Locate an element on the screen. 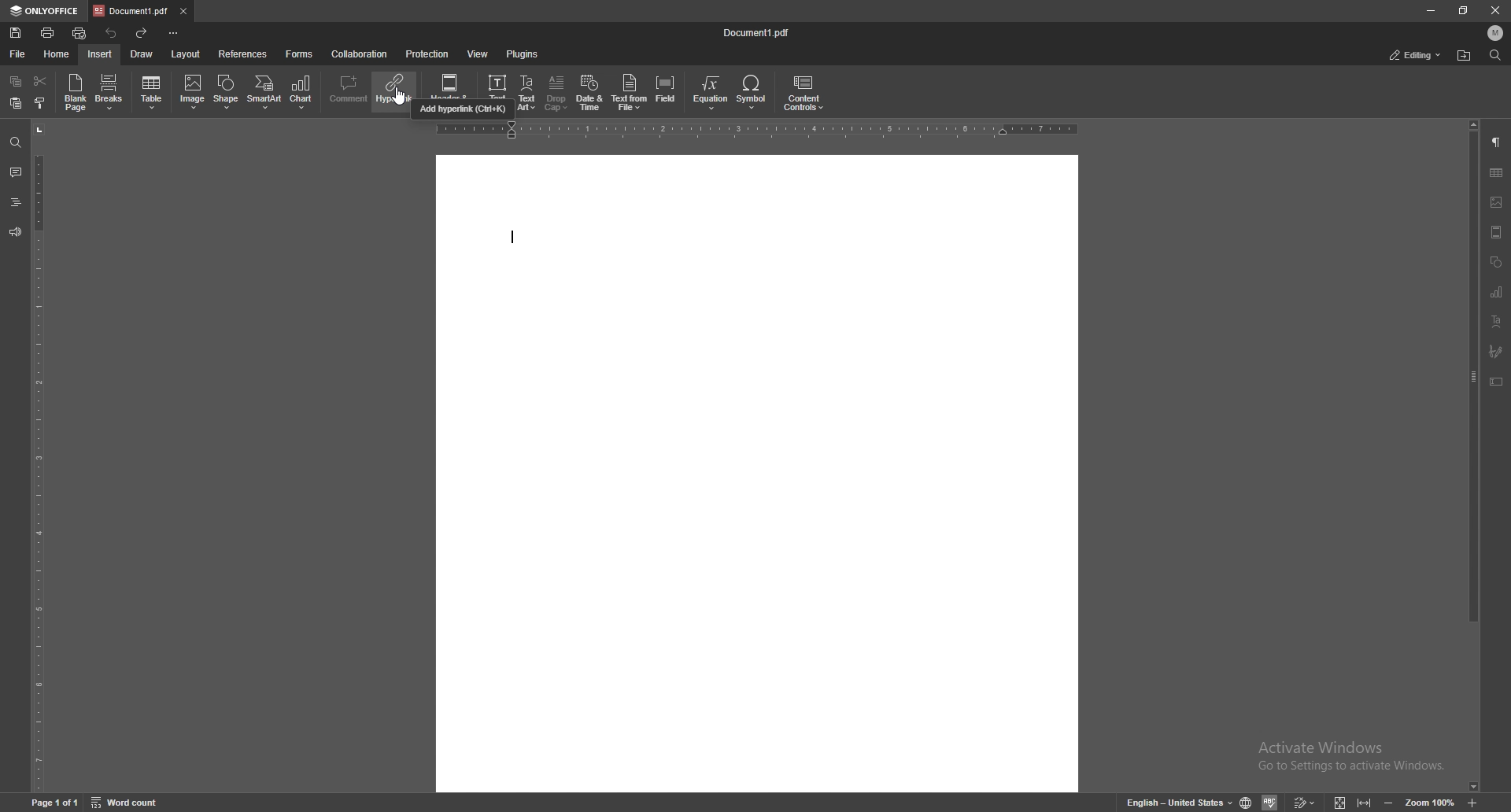 The height and width of the screenshot is (812, 1511). paragraph is located at coordinates (1498, 142).